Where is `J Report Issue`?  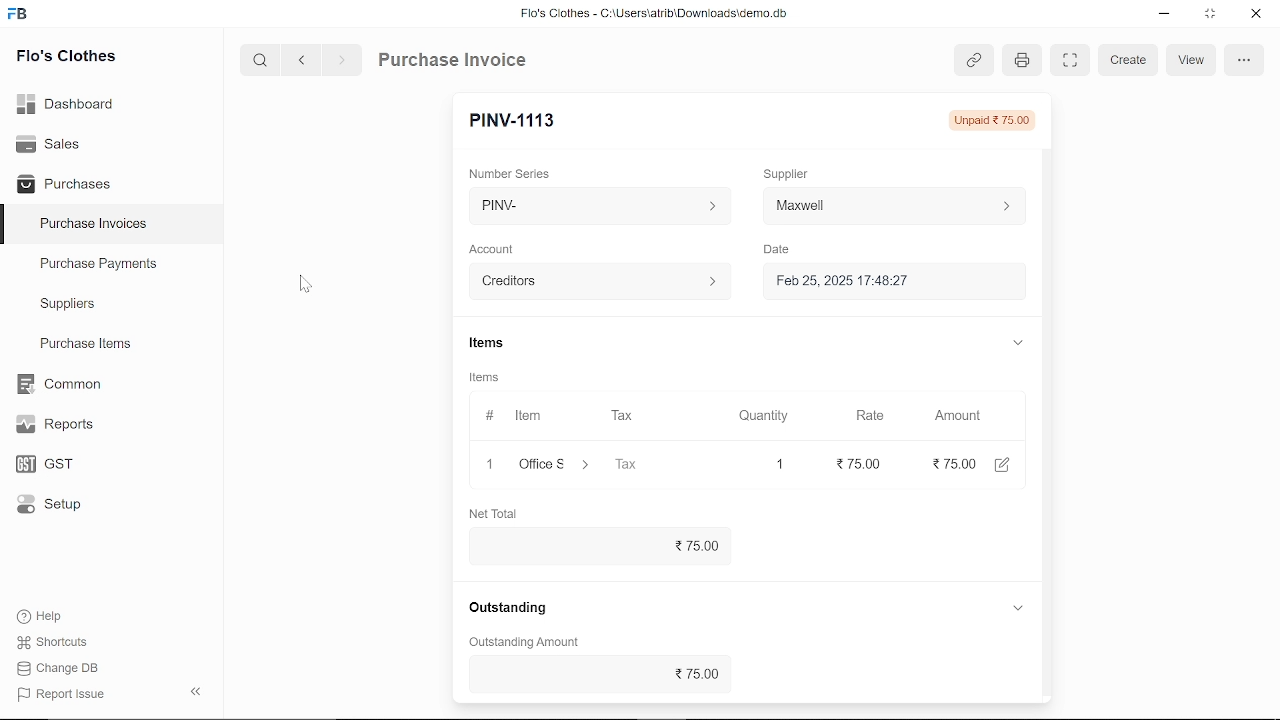
J Report Issue is located at coordinates (58, 694).